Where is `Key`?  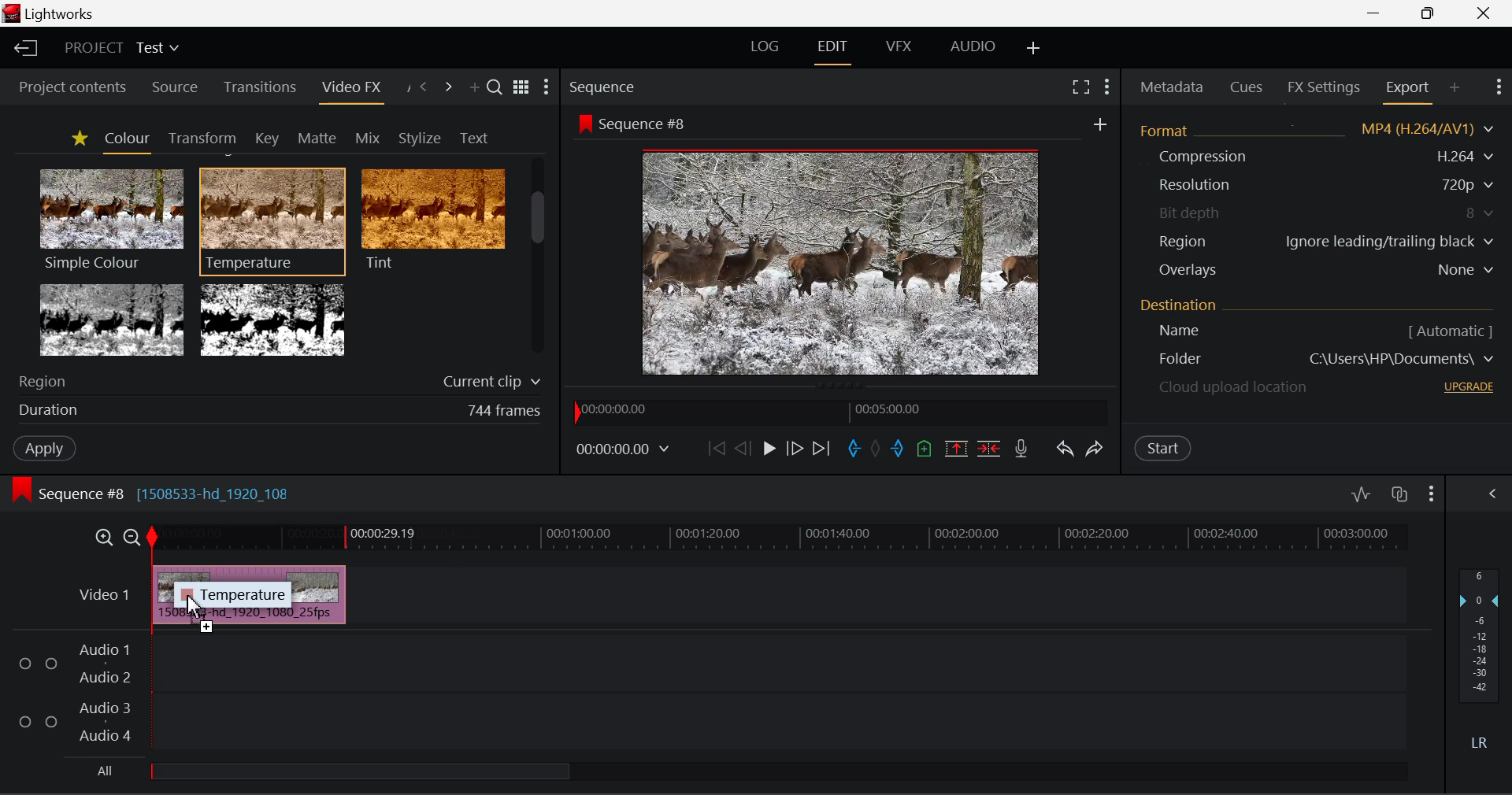
Key is located at coordinates (266, 138).